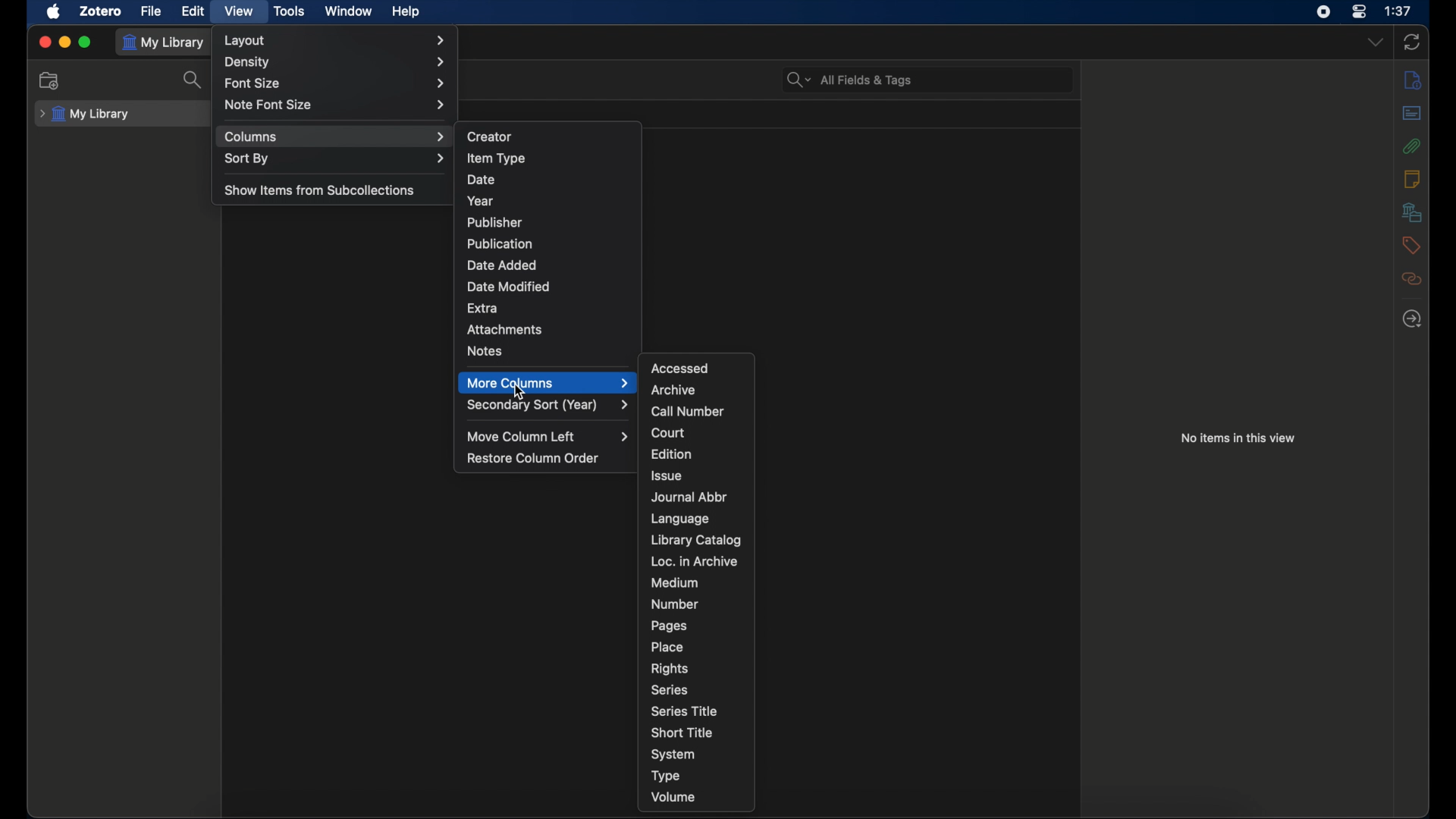 The image size is (1456, 819). What do you see at coordinates (1411, 146) in the screenshot?
I see `attachments` at bounding box center [1411, 146].